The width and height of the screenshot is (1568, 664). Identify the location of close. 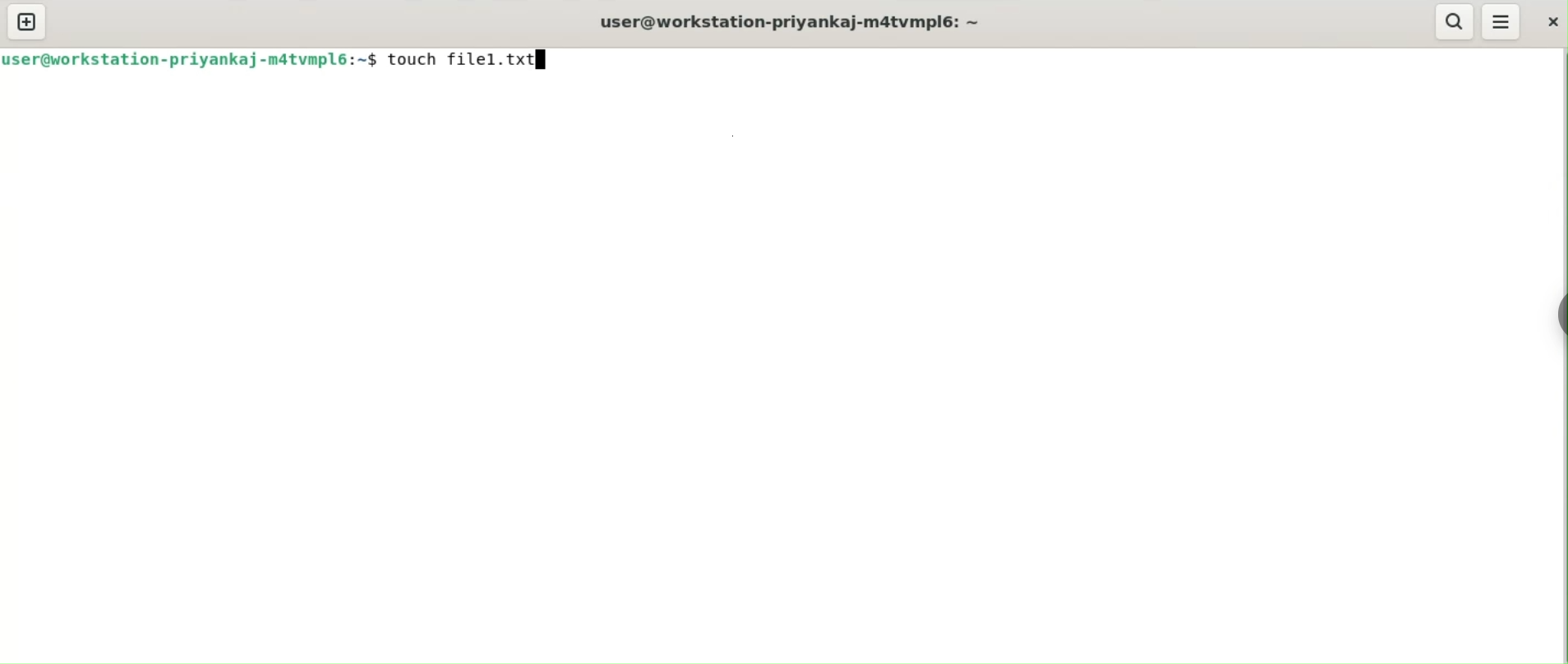
(1554, 24).